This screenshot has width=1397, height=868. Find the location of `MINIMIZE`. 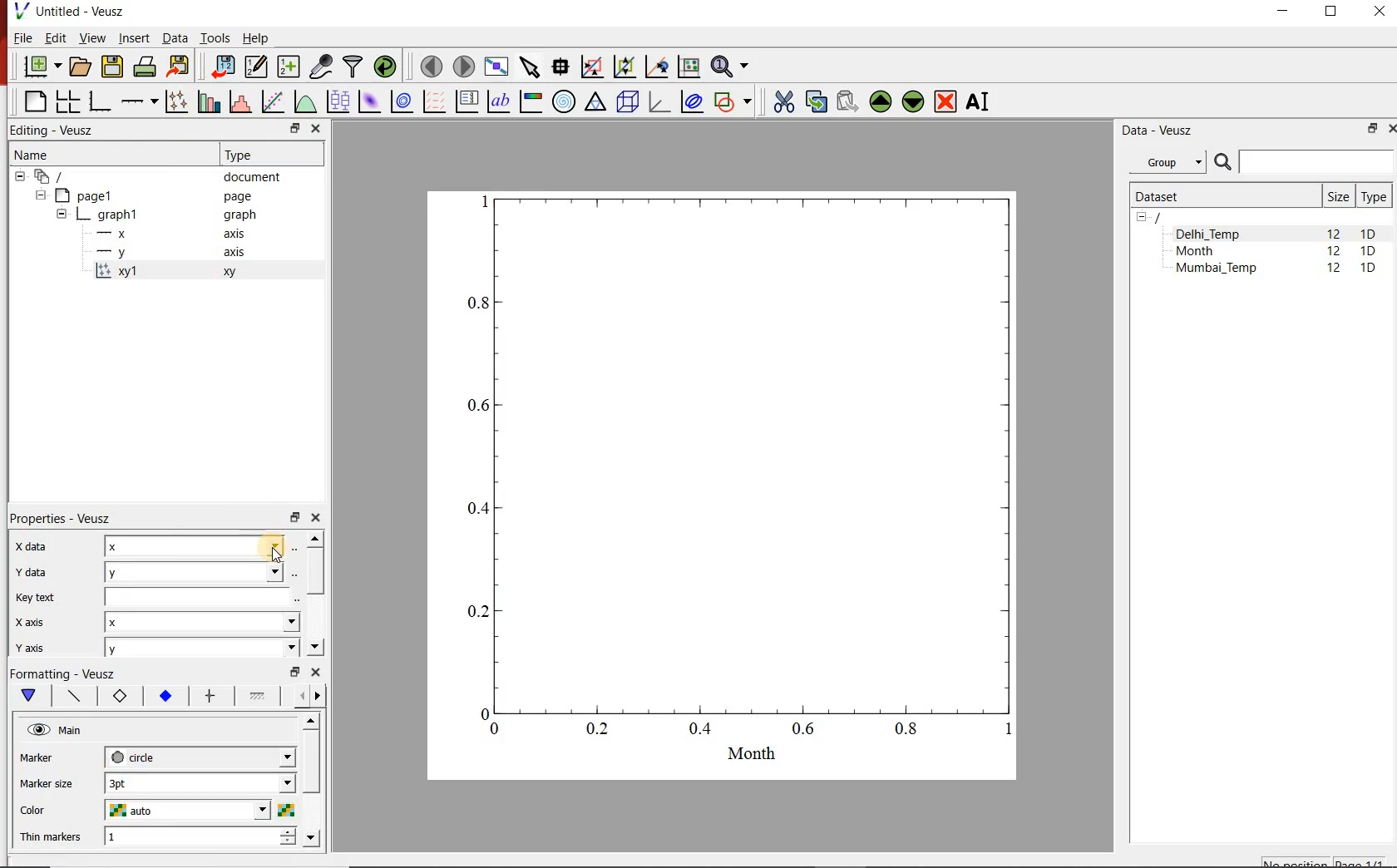

MINIMIZE is located at coordinates (1284, 12).